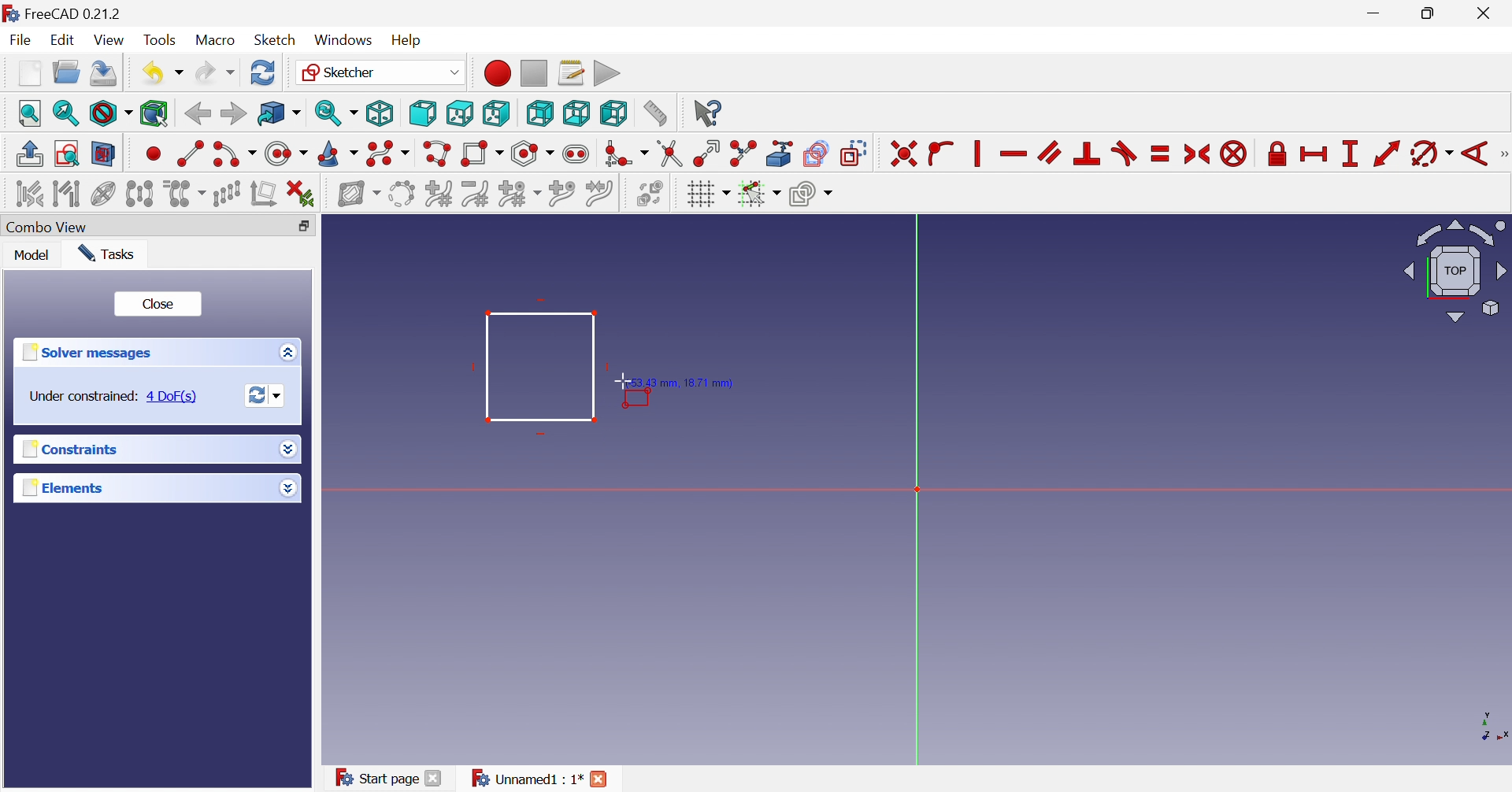 The height and width of the screenshot is (792, 1512). What do you see at coordinates (67, 451) in the screenshot?
I see `Constraints` at bounding box center [67, 451].